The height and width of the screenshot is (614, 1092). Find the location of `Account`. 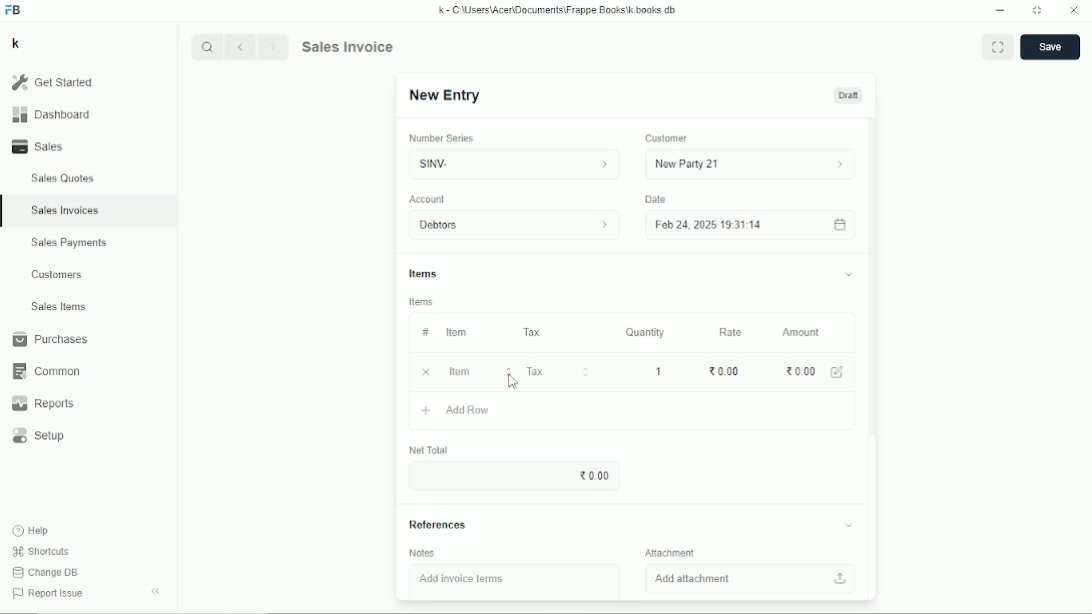

Account is located at coordinates (428, 199).